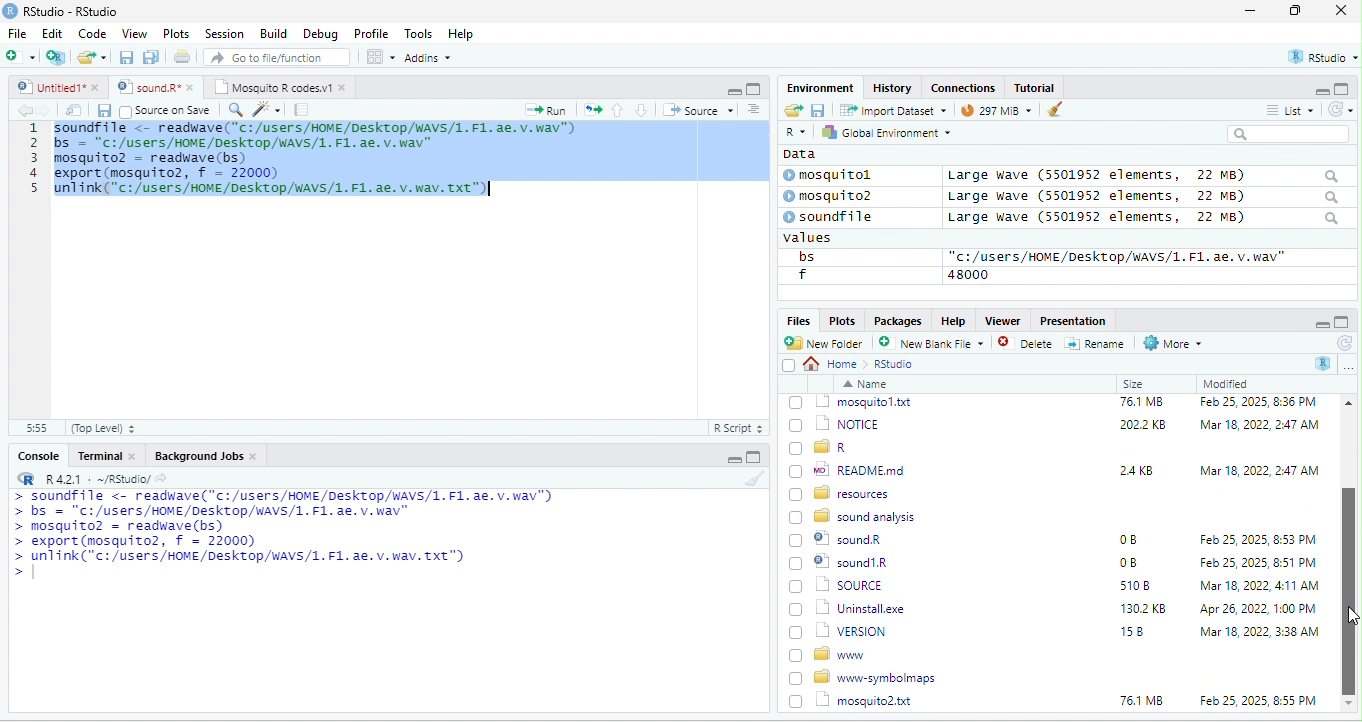  What do you see at coordinates (1349, 554) in the screenshot?
I see `scroll bar` at bounding box center [1349, 554].